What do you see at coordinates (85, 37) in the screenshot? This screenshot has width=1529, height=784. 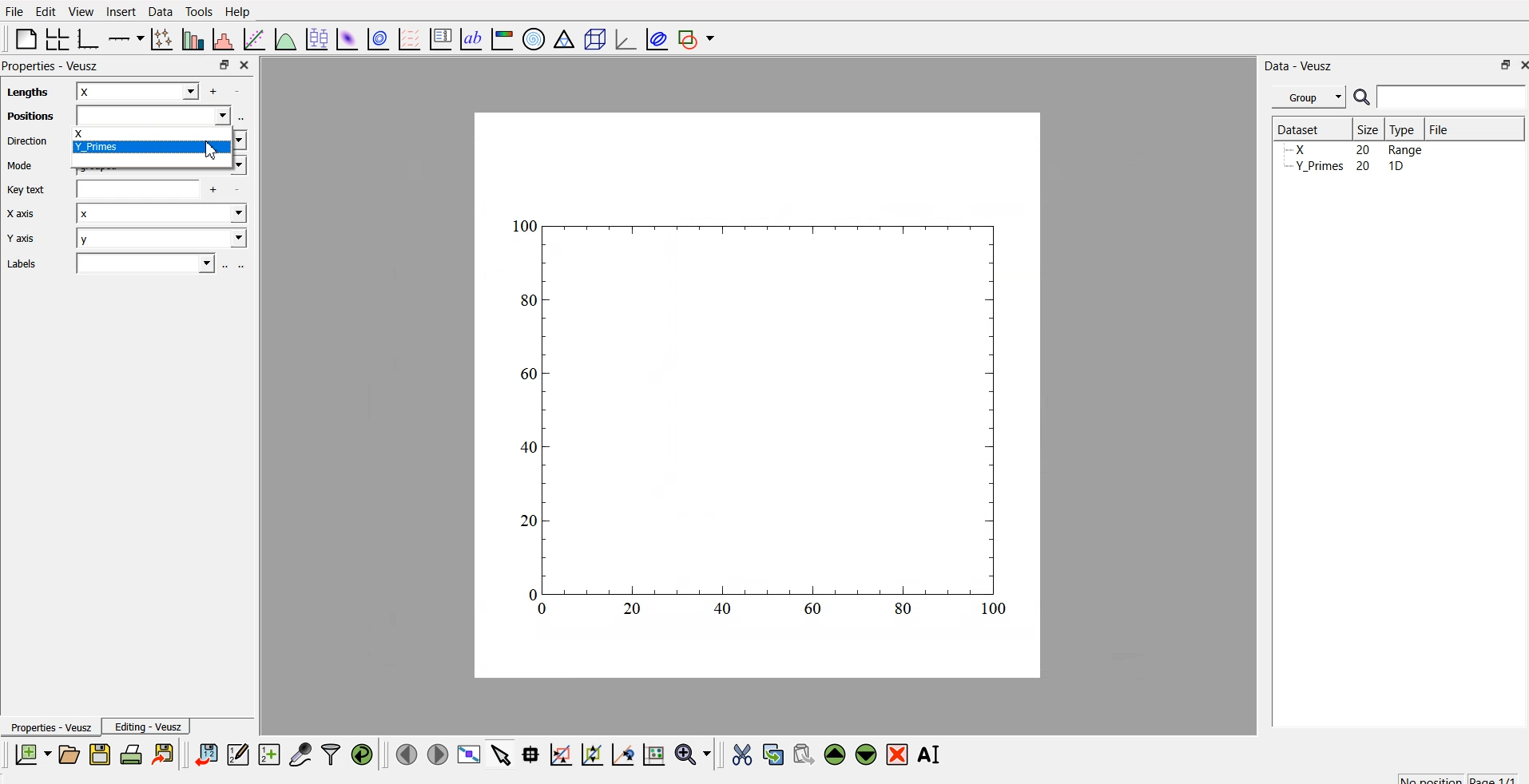 I see `base graph` at bounding box center [85, 37].